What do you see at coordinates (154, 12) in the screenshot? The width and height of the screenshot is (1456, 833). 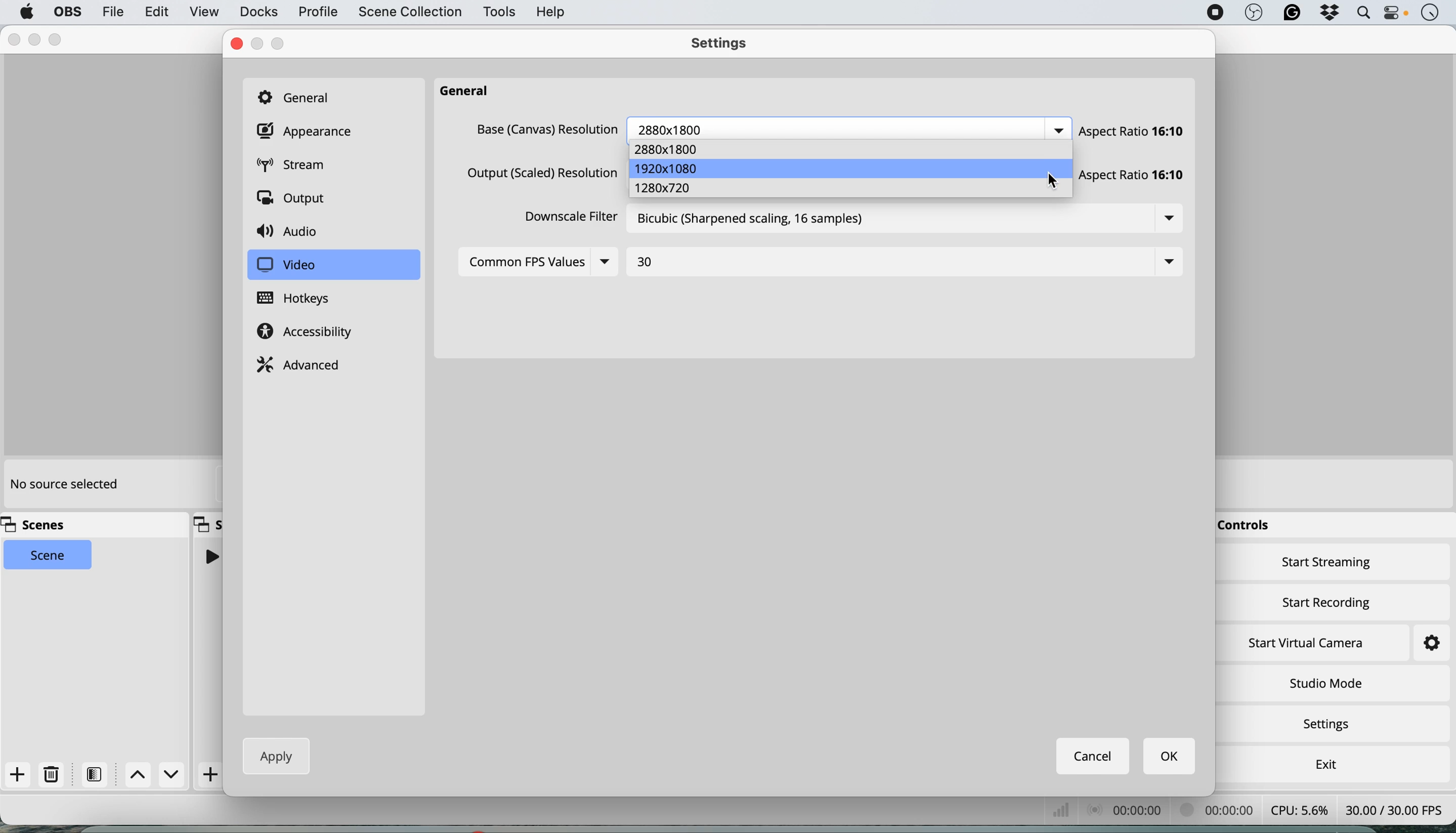 I see `edit` at bounding box center [154, 12].